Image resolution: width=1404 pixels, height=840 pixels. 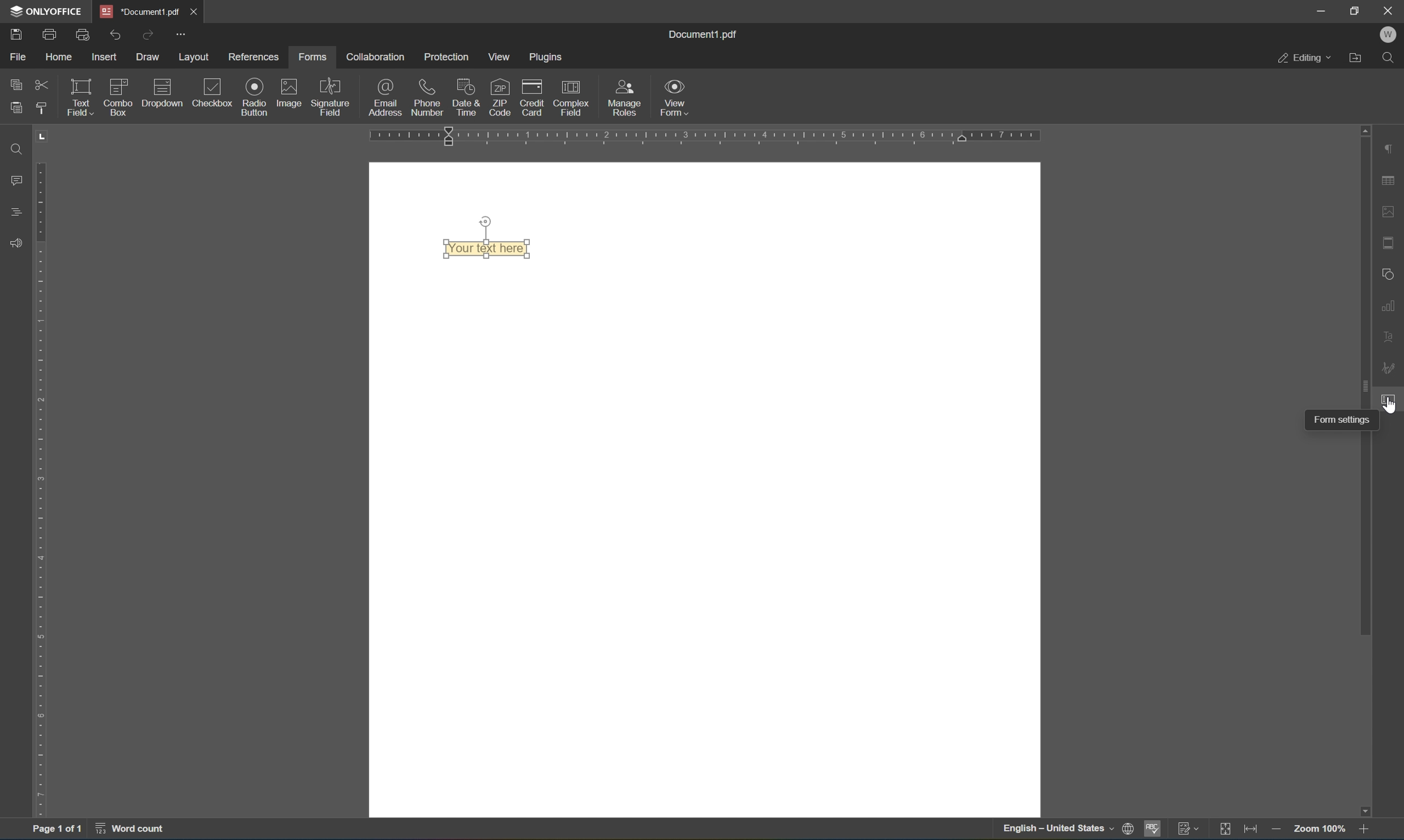 What do you see at coordinates (194, 11) in the screenshot?
I see `close` at bounding box center [194, 11].